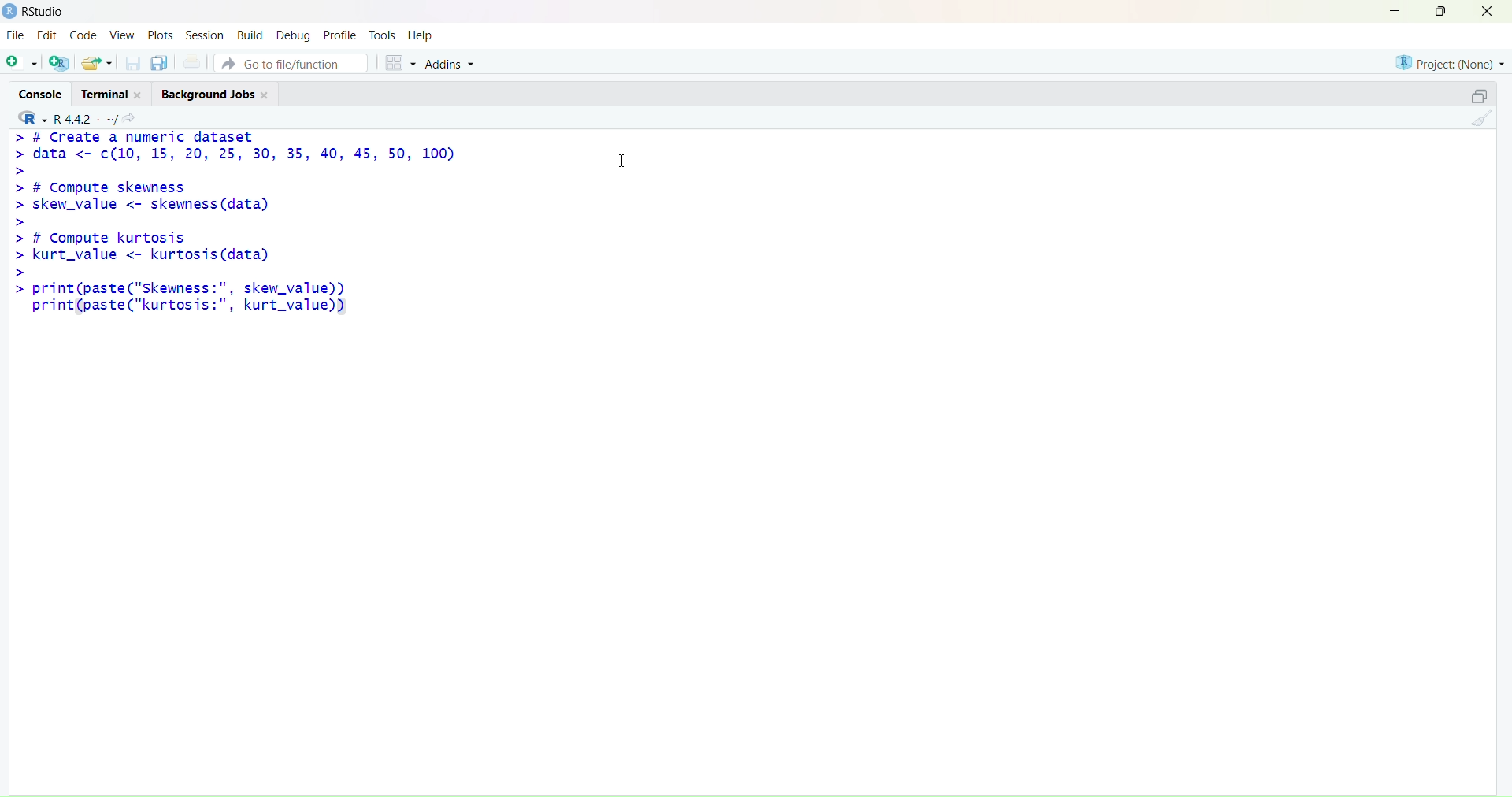 Image resolution: width=1512 pixels, height=797 pixels. Describe the element at coordinates (1440, 13) in the screenshot. I see `Maximize` at that location.